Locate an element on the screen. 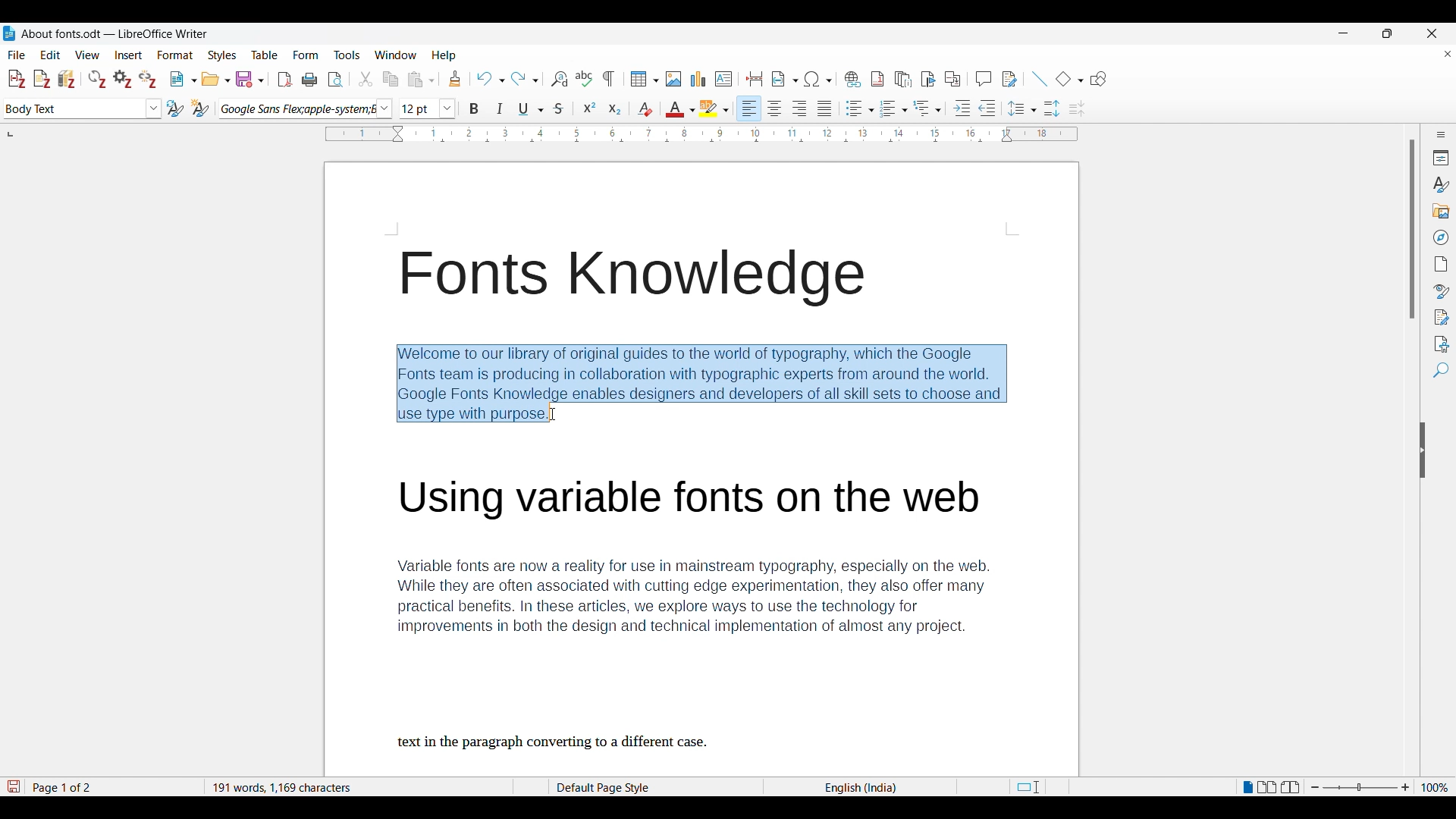 The height and width of the screenshot is (819, 1456). Close interface is located at coordinates (1432, 33).